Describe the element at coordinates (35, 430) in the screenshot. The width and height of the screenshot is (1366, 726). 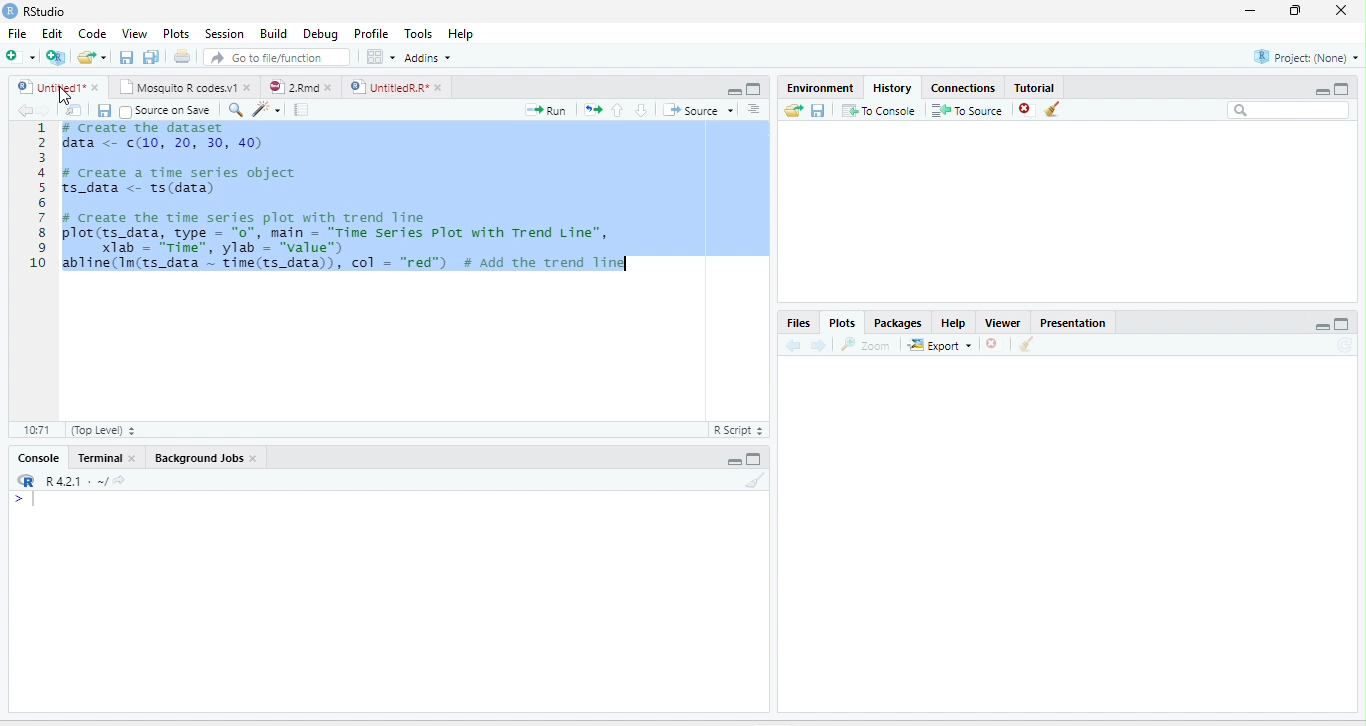
I see `1:1` at that location.